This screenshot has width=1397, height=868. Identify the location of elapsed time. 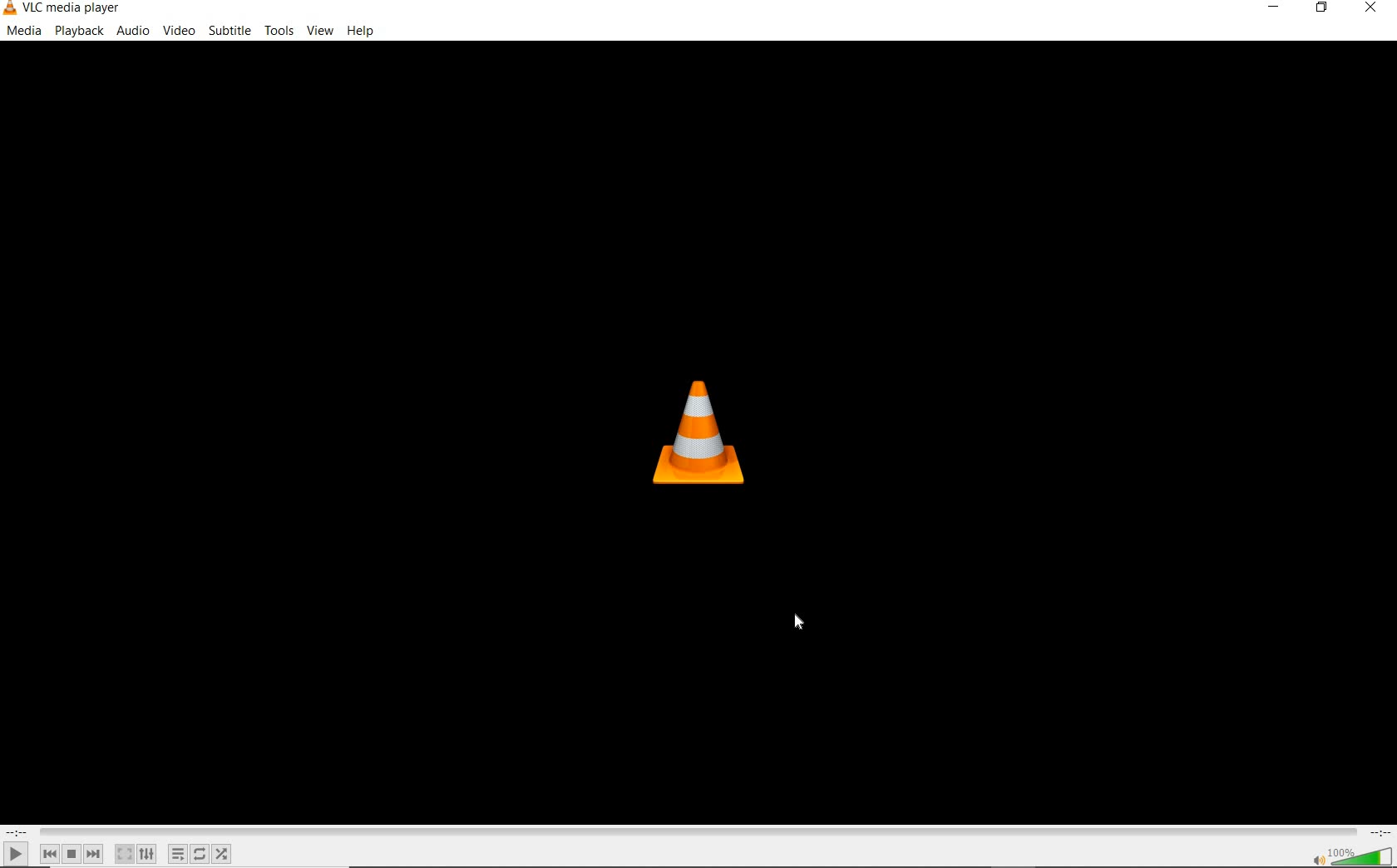
(17, 832).